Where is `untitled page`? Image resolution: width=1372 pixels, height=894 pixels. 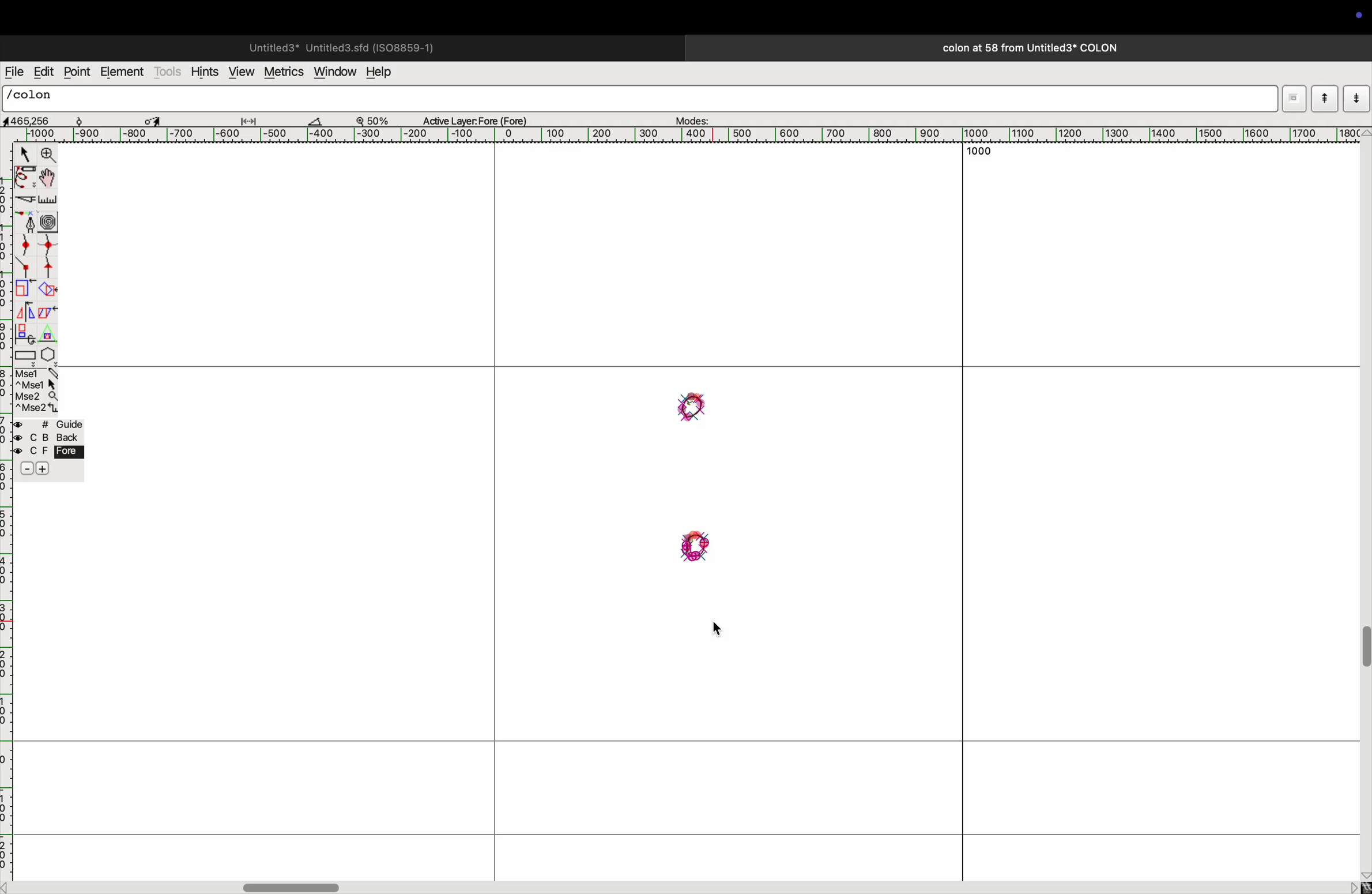
untitled page is located at coordinates (340, 46).